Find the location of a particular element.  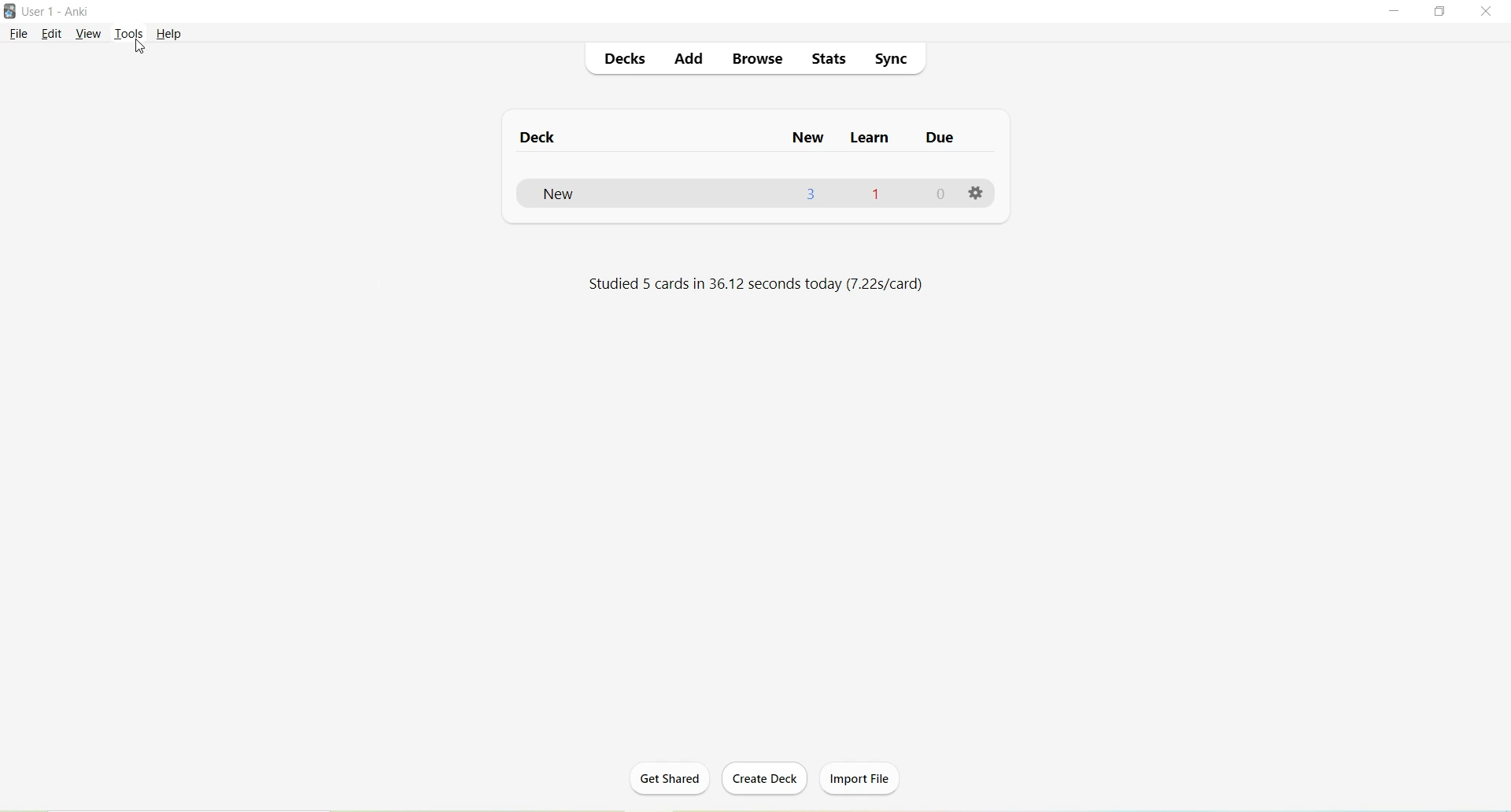

File is located at coordinates (20, 33).